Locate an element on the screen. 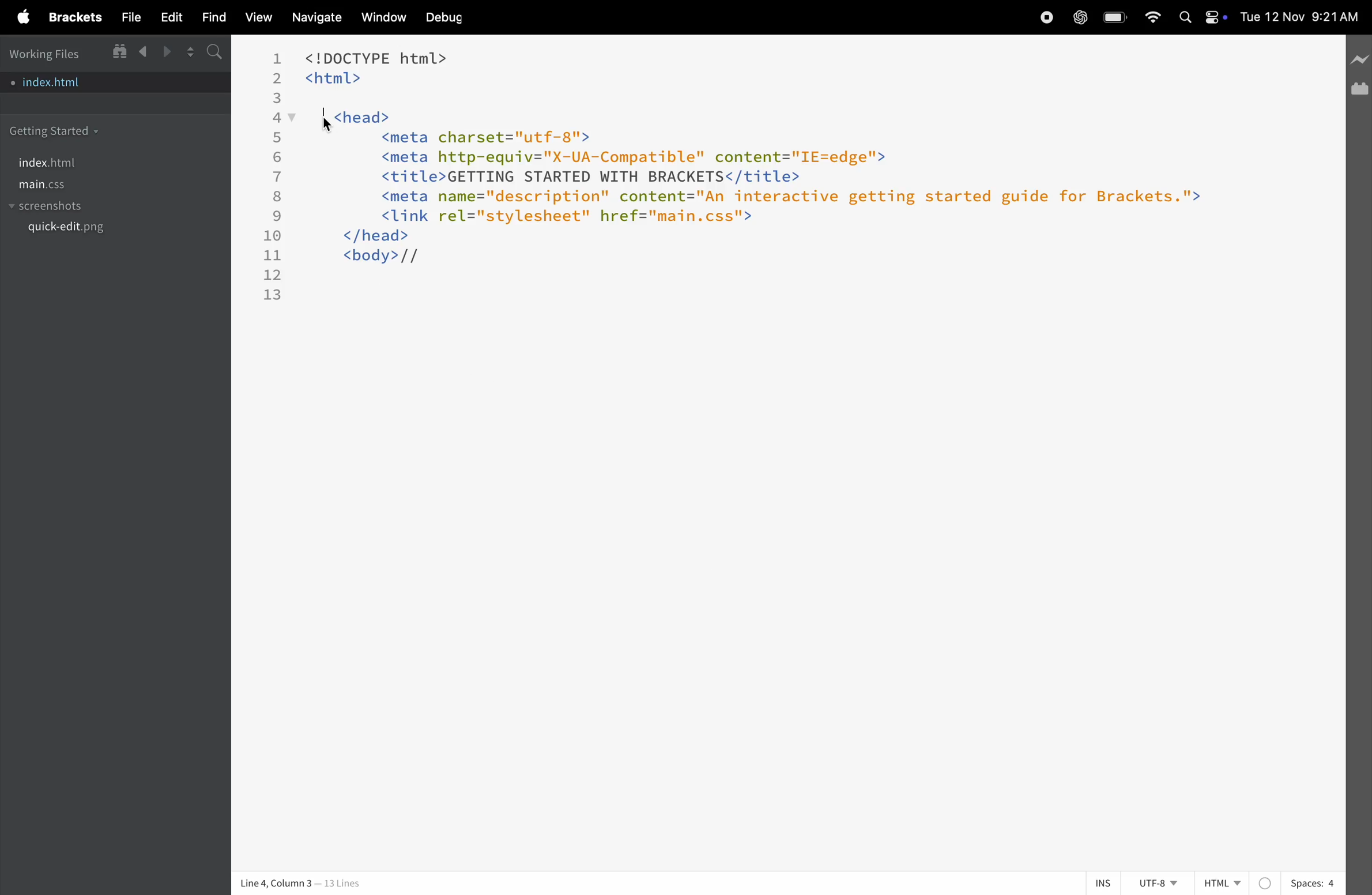  working files is located at coordinates (51, 52).